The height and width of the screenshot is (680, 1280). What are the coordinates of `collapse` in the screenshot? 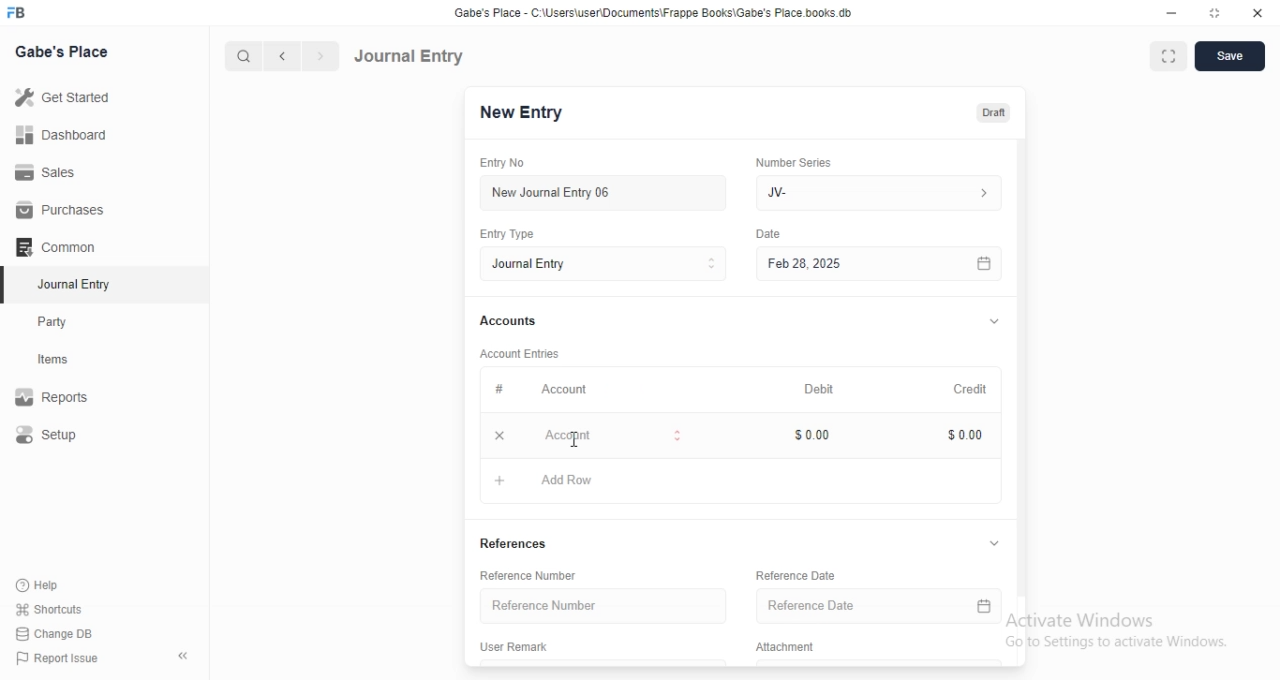 It's located at (996, 544).